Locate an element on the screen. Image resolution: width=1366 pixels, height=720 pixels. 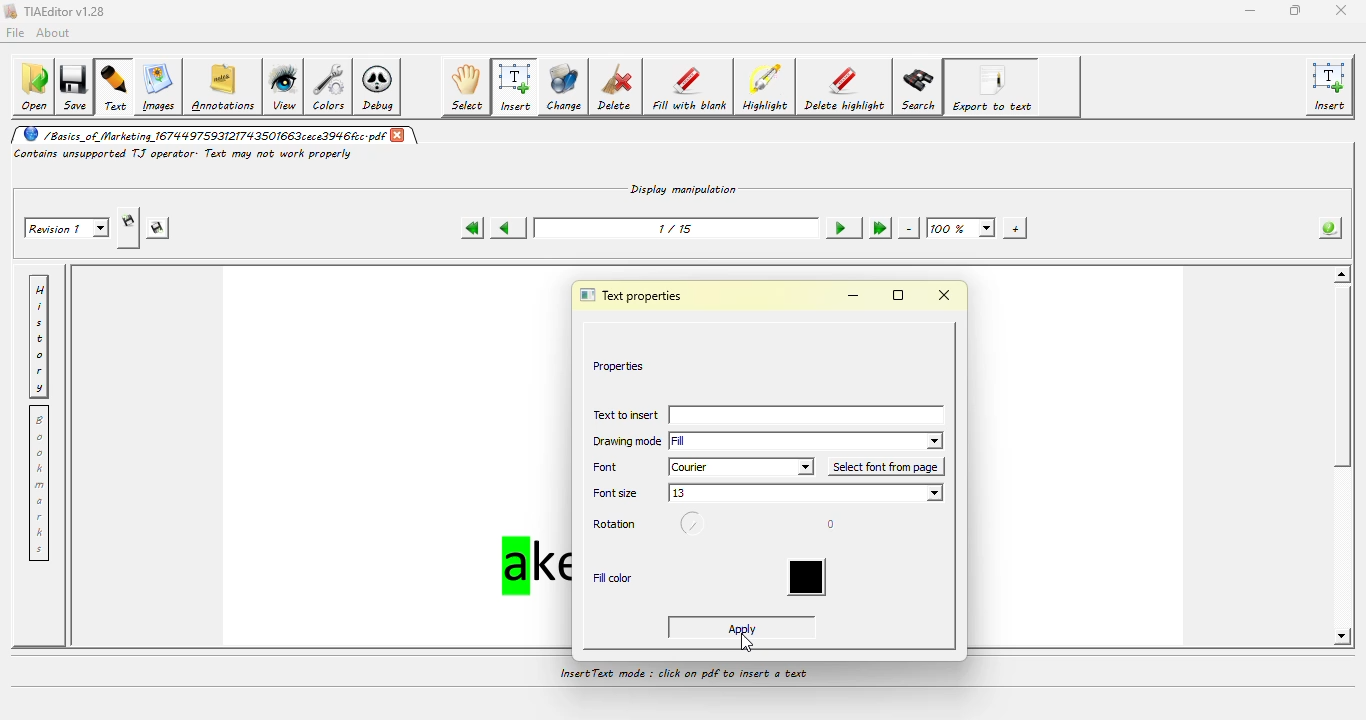
view is located at coordinates (286, 86).